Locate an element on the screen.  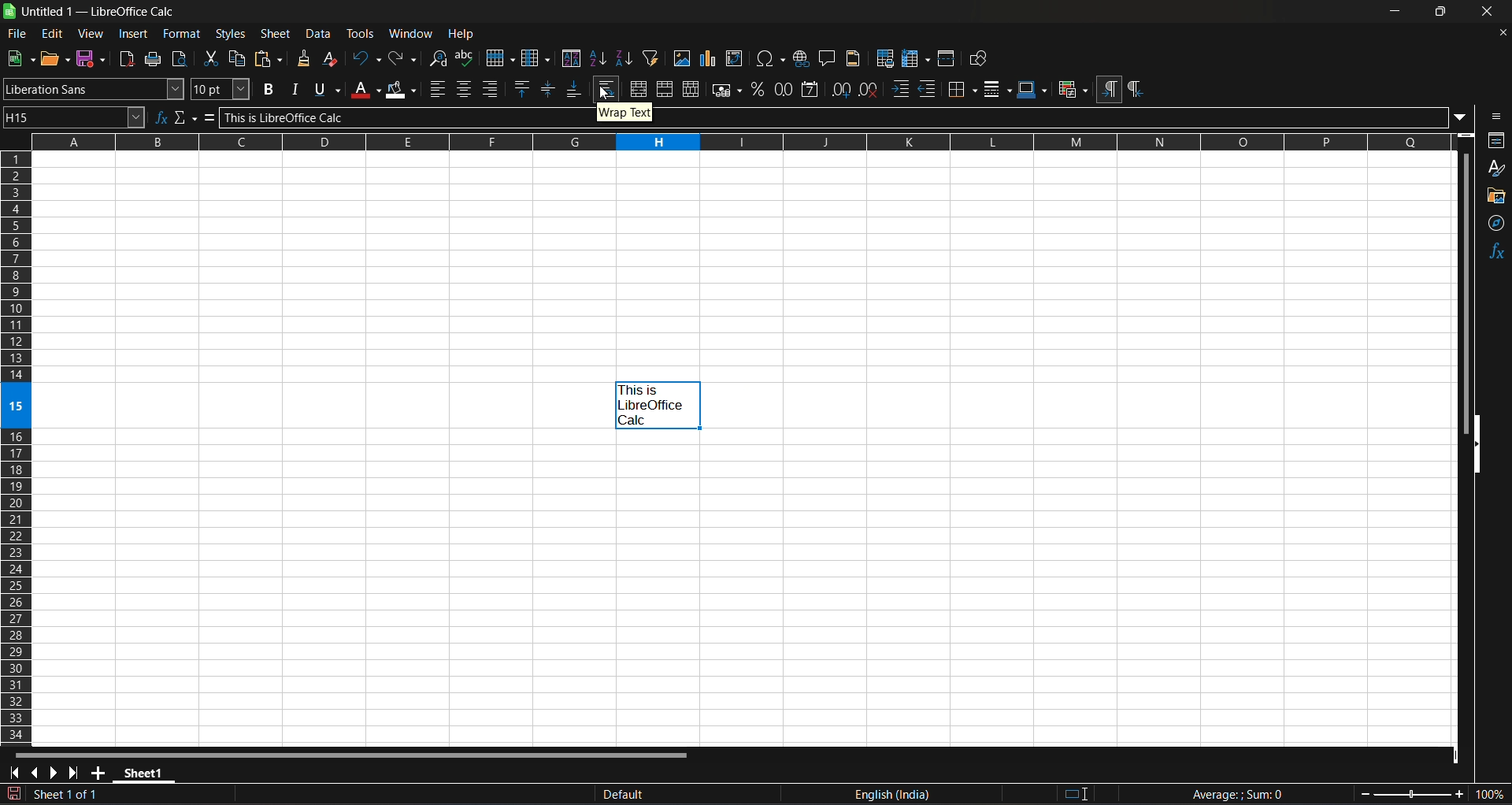
sheet is located at coordinates (276, 32).